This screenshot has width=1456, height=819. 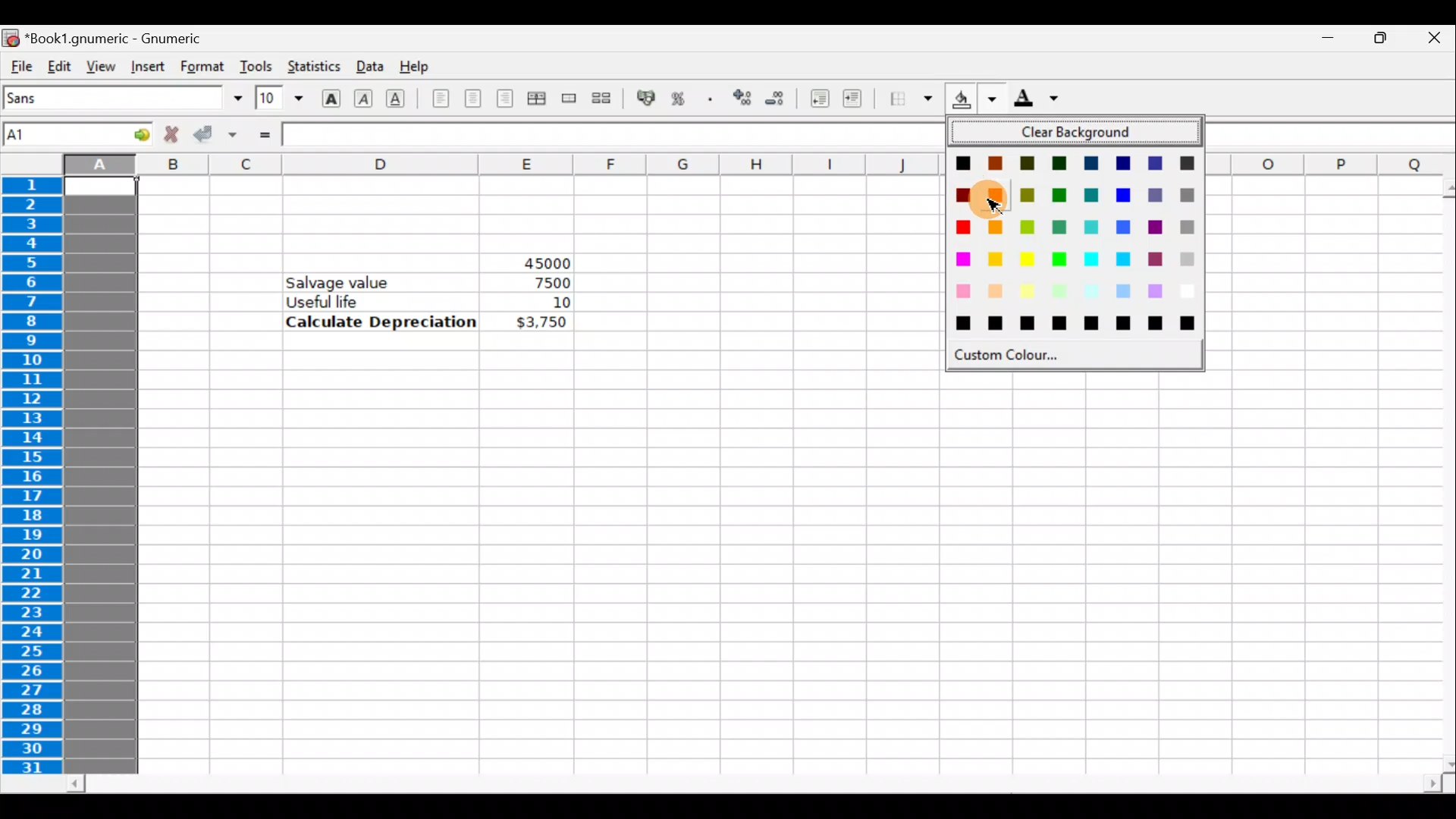 I want to click on Cursor on red orange color, so click(x=995, y=201).